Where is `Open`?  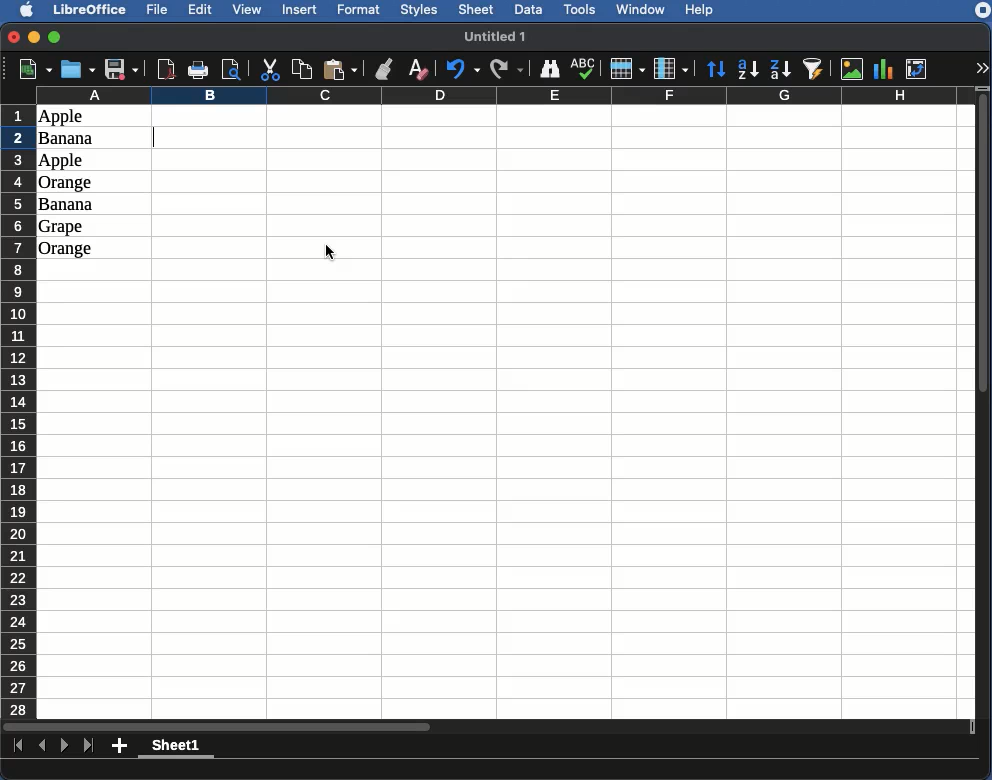 Open is located at coordinates (76, 70).